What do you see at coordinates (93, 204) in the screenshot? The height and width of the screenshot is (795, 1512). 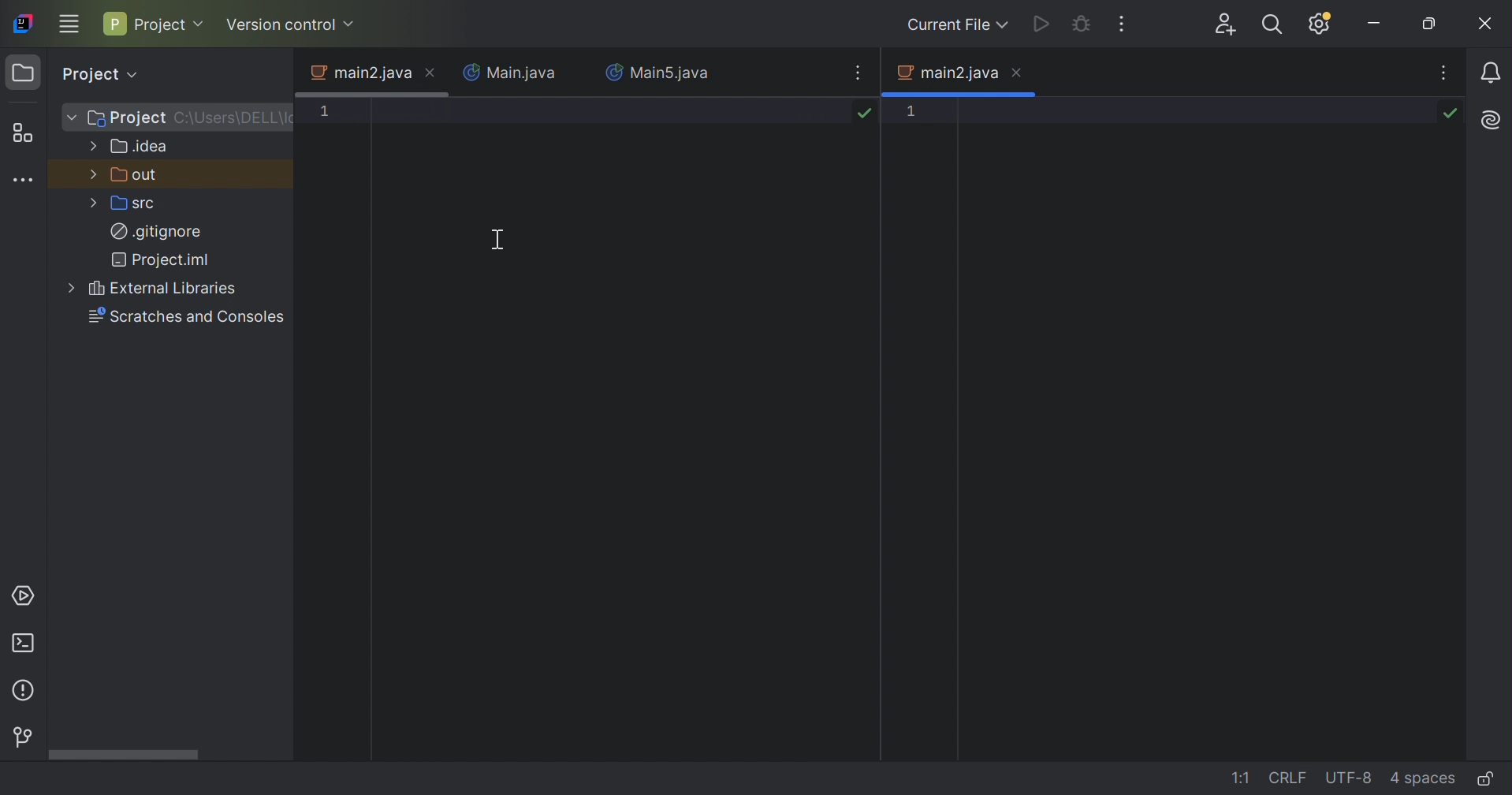 I see `More` at bounding box center [93, 204].